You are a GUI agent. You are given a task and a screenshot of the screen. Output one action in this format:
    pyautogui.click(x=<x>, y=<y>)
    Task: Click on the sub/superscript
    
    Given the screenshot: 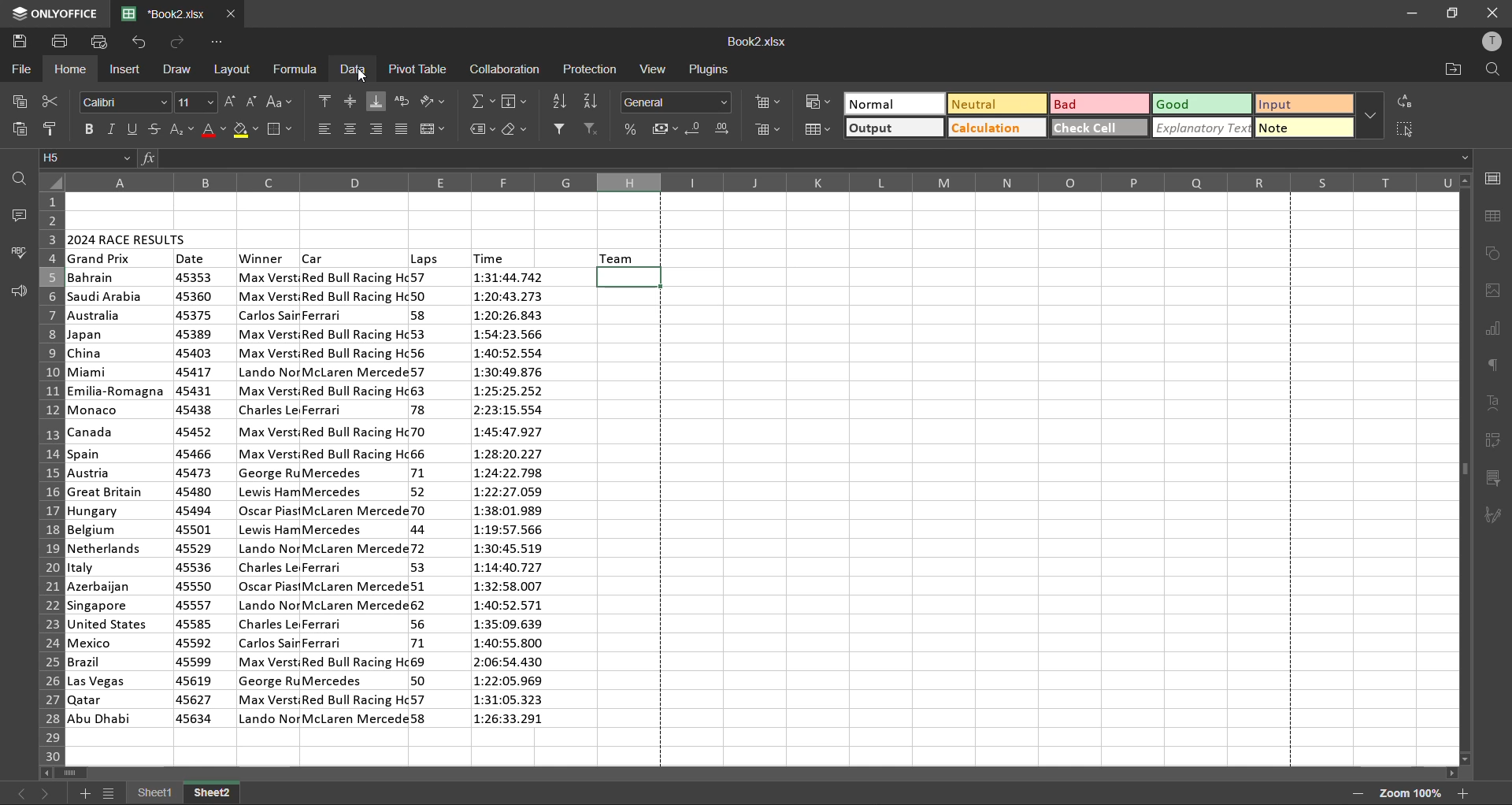 What is the action you would take?
    pyautogui.click(x=183, y=133)
    